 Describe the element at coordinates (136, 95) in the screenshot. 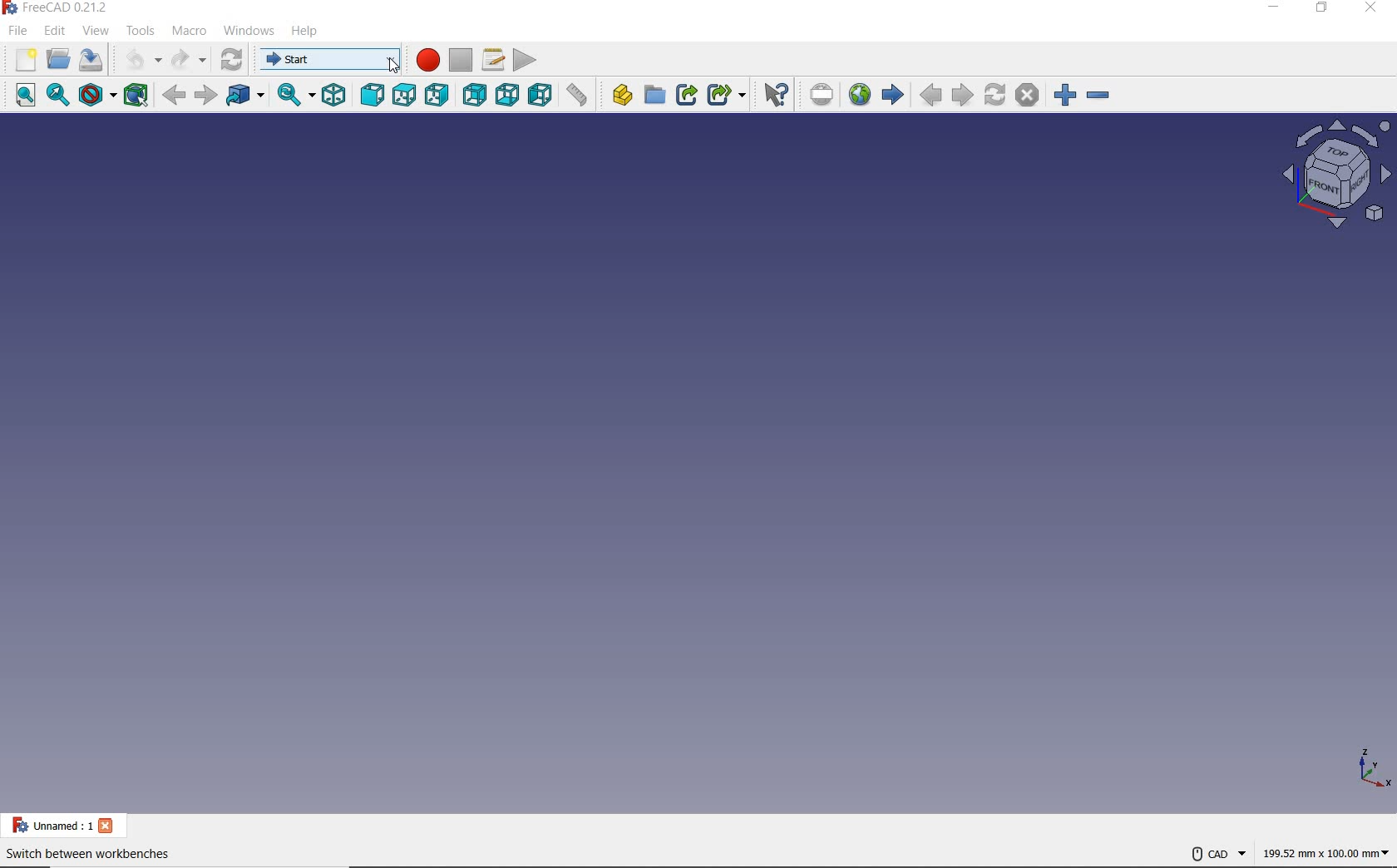

I see `BOUNDING BOX` at that location.